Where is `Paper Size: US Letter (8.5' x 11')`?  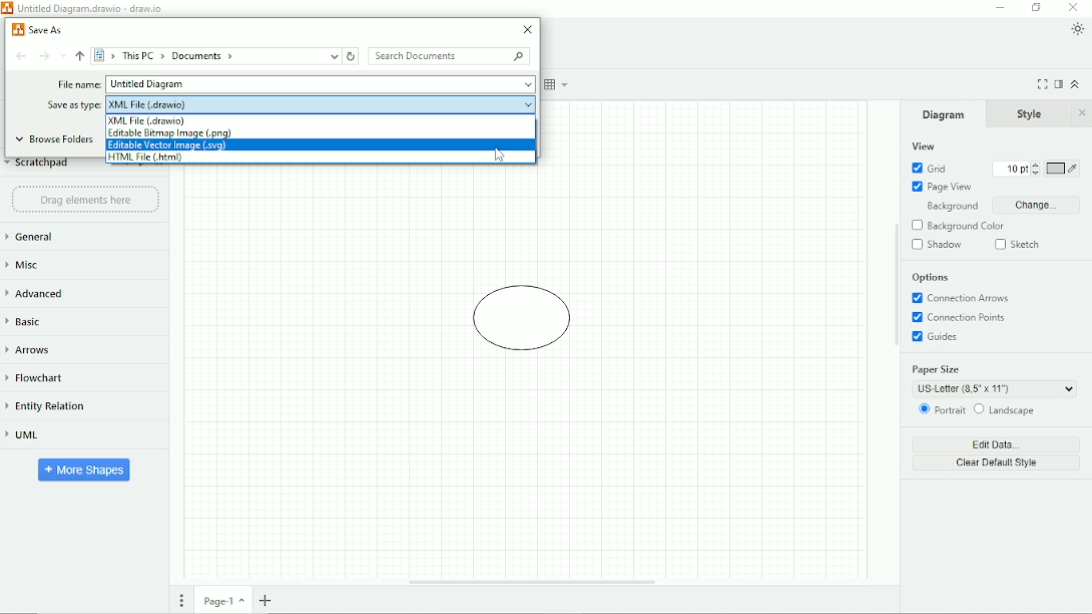 Paper Size: US Letter (8.5' x 11') is located at coordinates (998, 380).